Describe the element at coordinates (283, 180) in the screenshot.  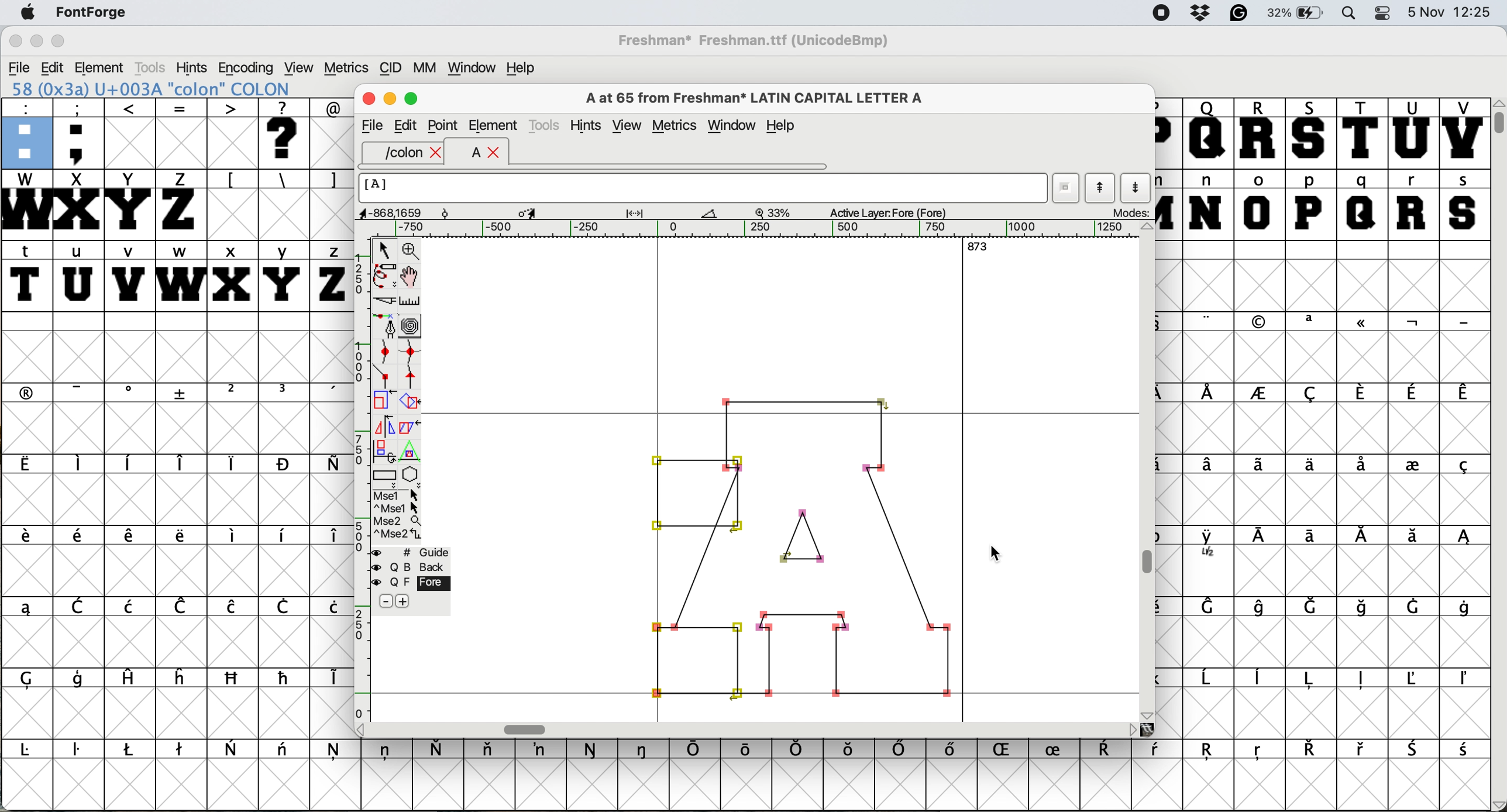
I see `\` at that location.